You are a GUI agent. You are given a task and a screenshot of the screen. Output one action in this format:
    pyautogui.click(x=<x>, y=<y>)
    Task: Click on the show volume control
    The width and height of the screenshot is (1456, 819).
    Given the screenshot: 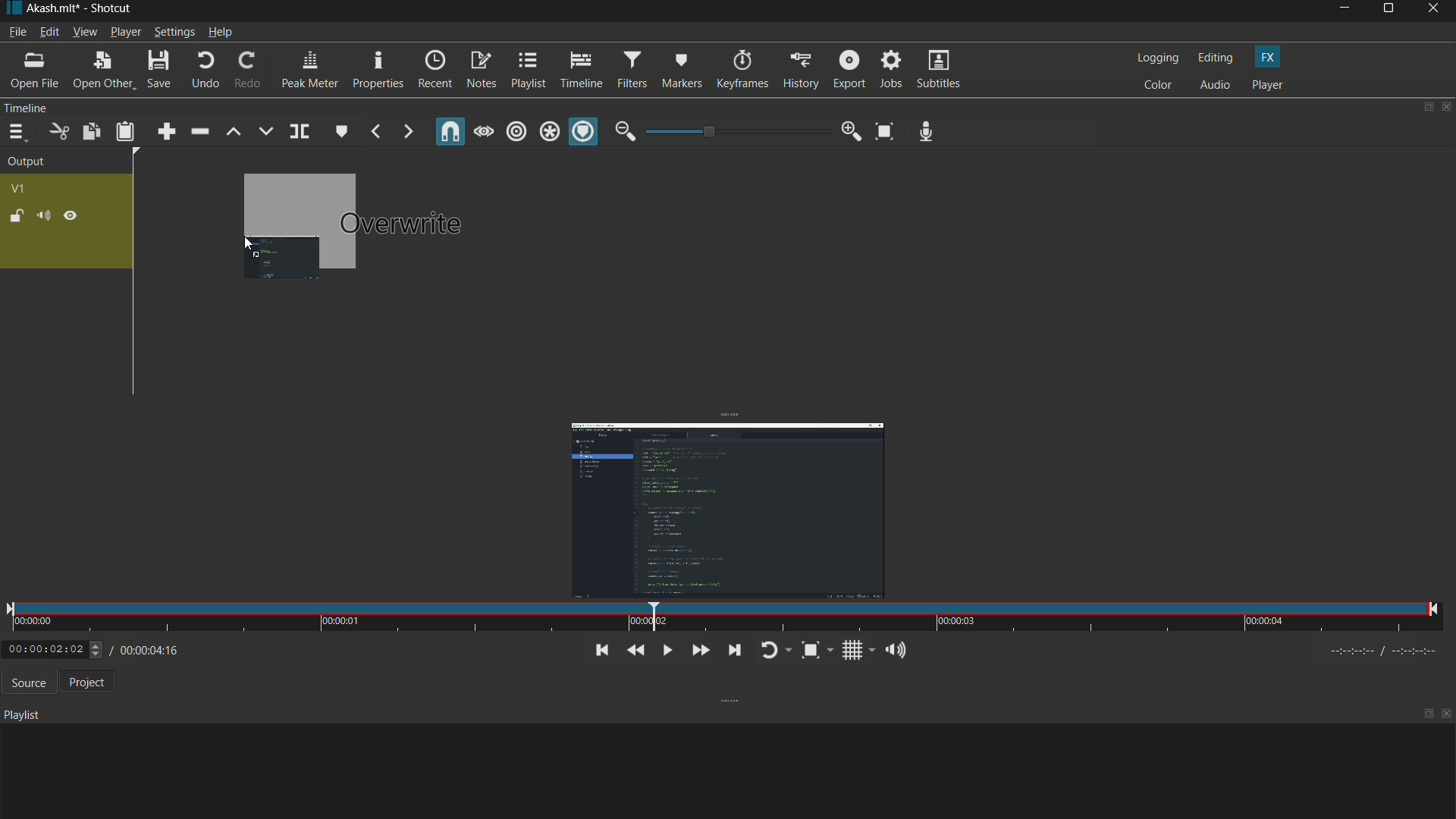 What is the action you would take?
    pyautogui.click(x=899, y=649)
    